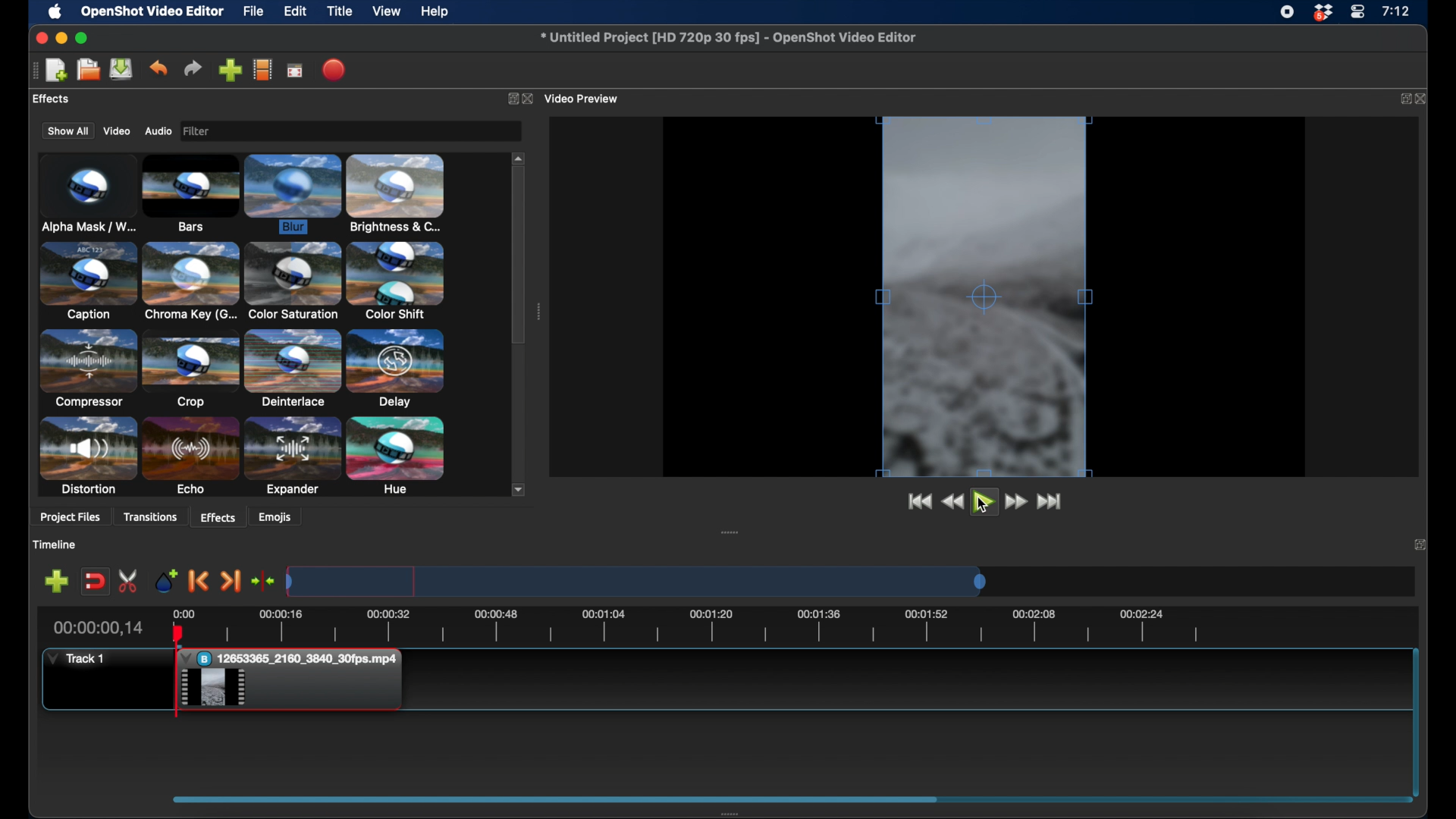 The width and height of the screenshot is (1456, 819). Describe the element at coordinates (214, 689) in the screenshot. I see `Cursor` at that location.